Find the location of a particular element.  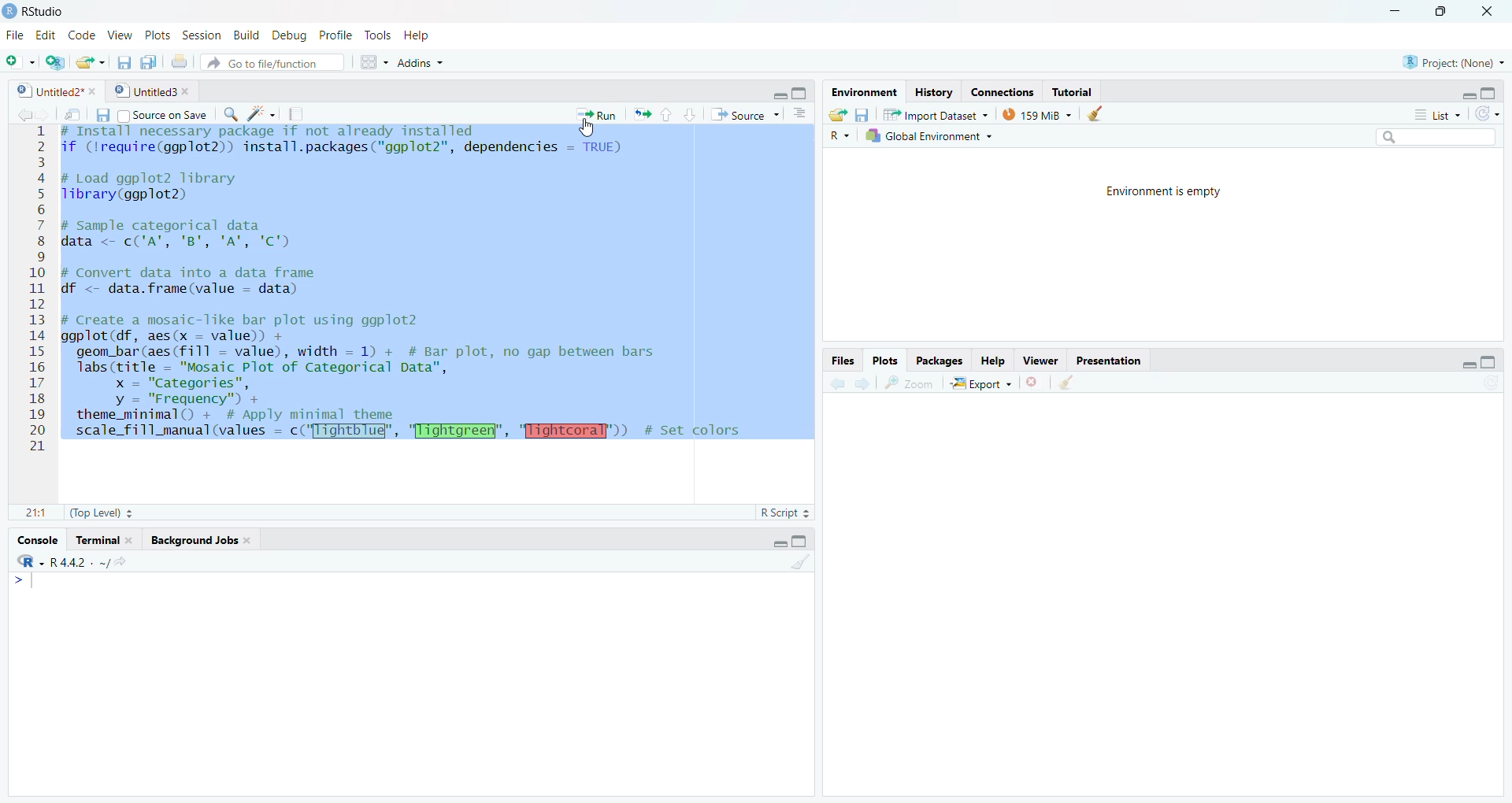

Save all open files is located at coordinates (150, 62).